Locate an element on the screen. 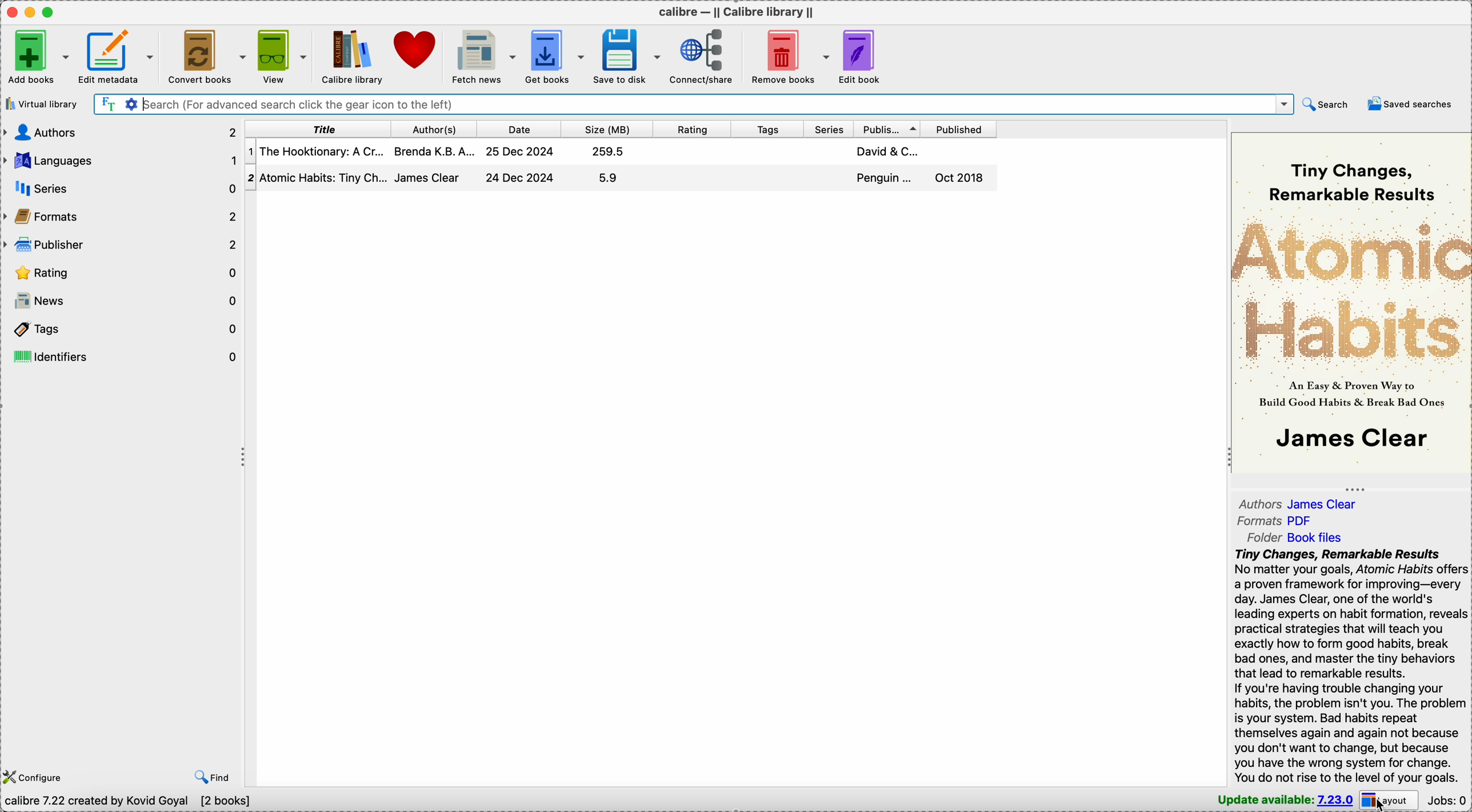 This screenshot has width=1472, height=812. 25 Dec 2024 is located at coordinates (519, 151).